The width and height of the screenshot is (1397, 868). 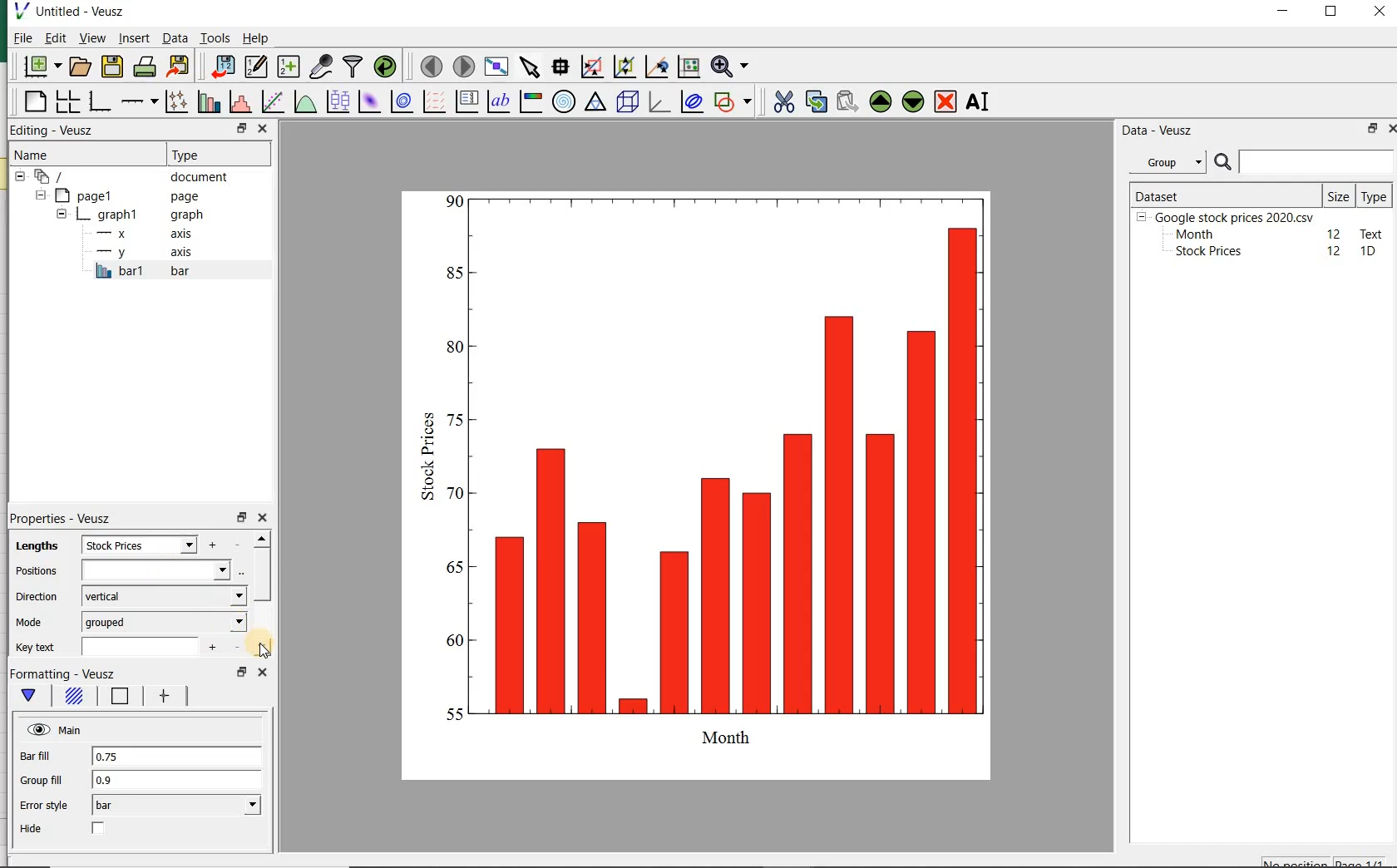 What do you see at coordinates (140, 649) in the screenshot?
I see `input field` at bounding box center [140, 649].